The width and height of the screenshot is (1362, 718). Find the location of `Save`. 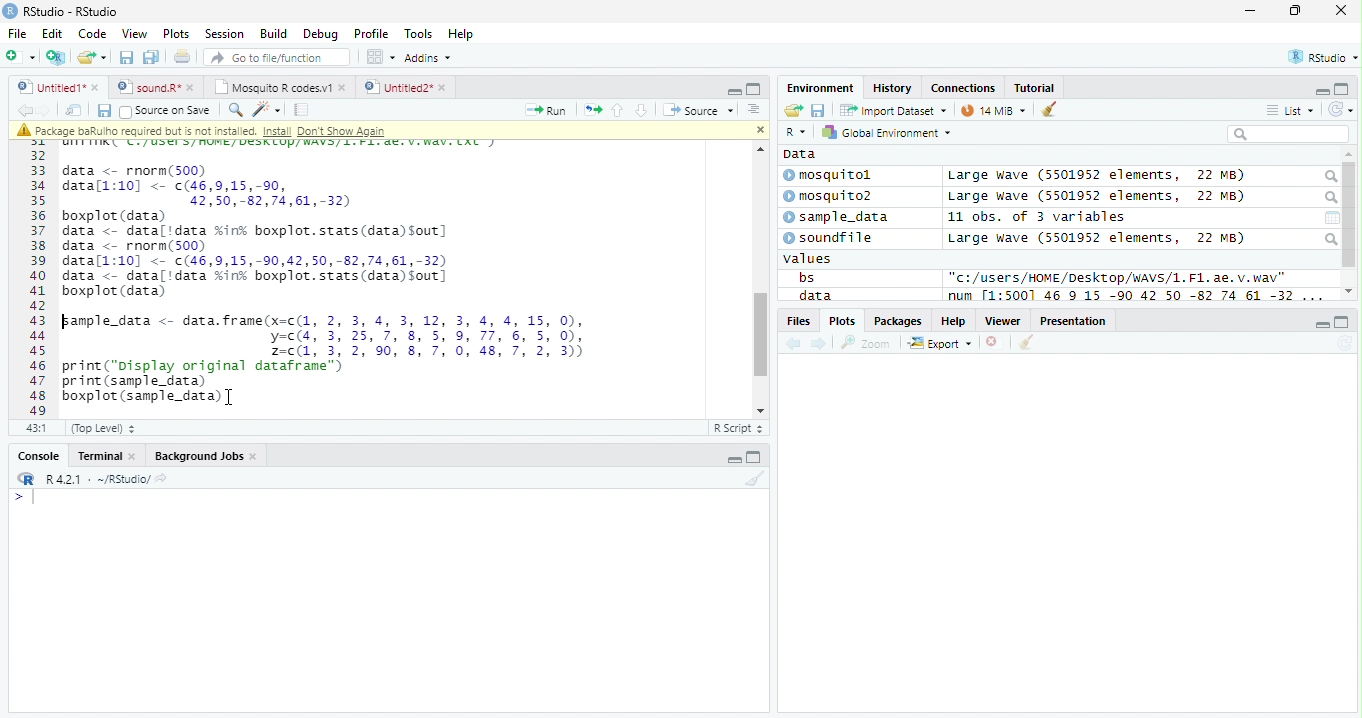

Save is located at coordinates (103, 111).